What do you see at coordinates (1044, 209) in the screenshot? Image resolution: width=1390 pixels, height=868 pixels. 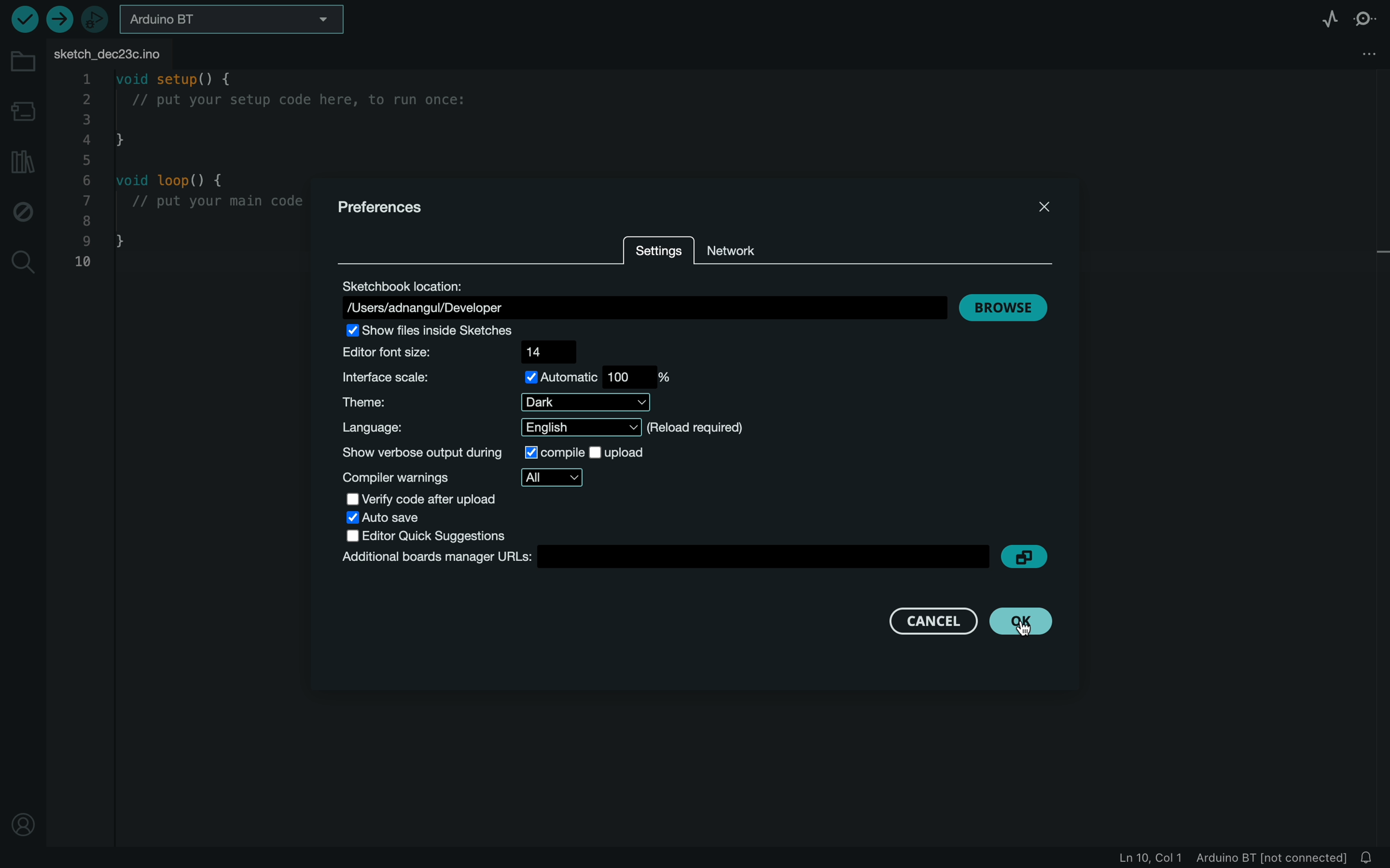 I see `close` at bounding box center [1044, 209].